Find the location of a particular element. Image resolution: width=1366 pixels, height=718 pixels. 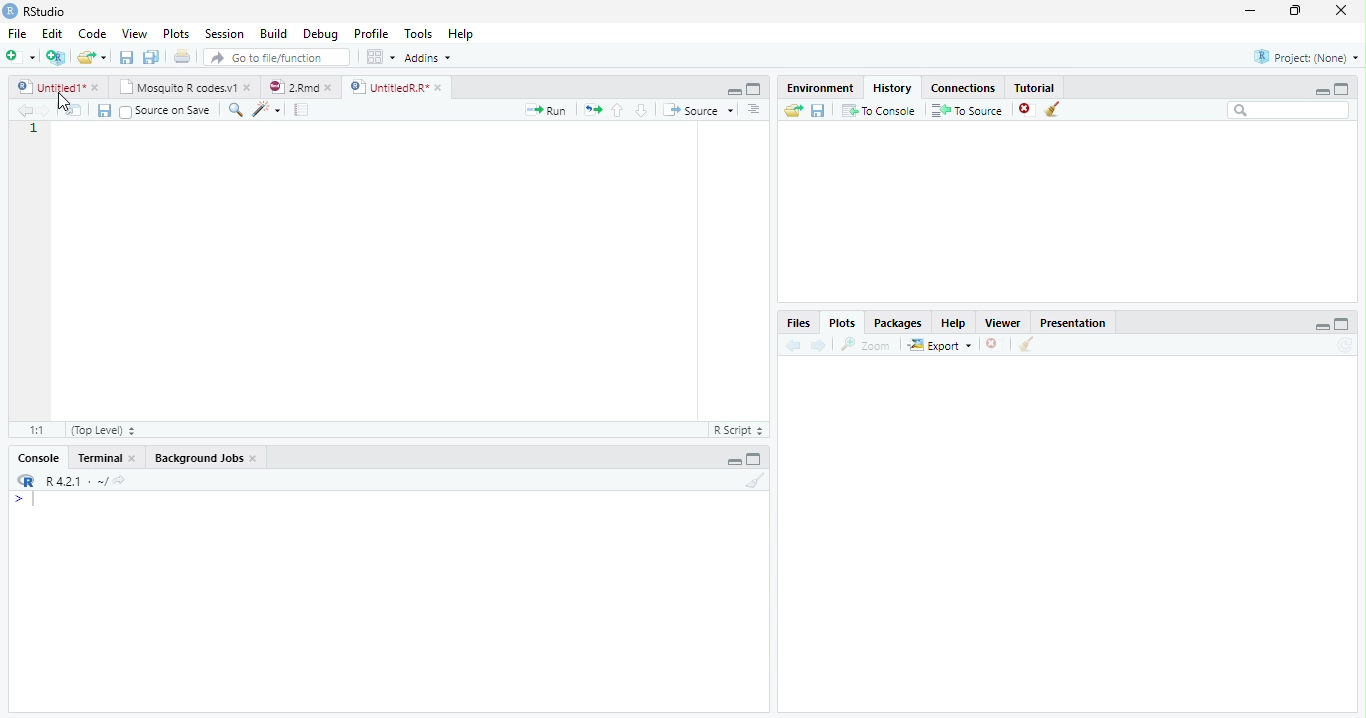

Save current document is located at coordinates (105, 111).